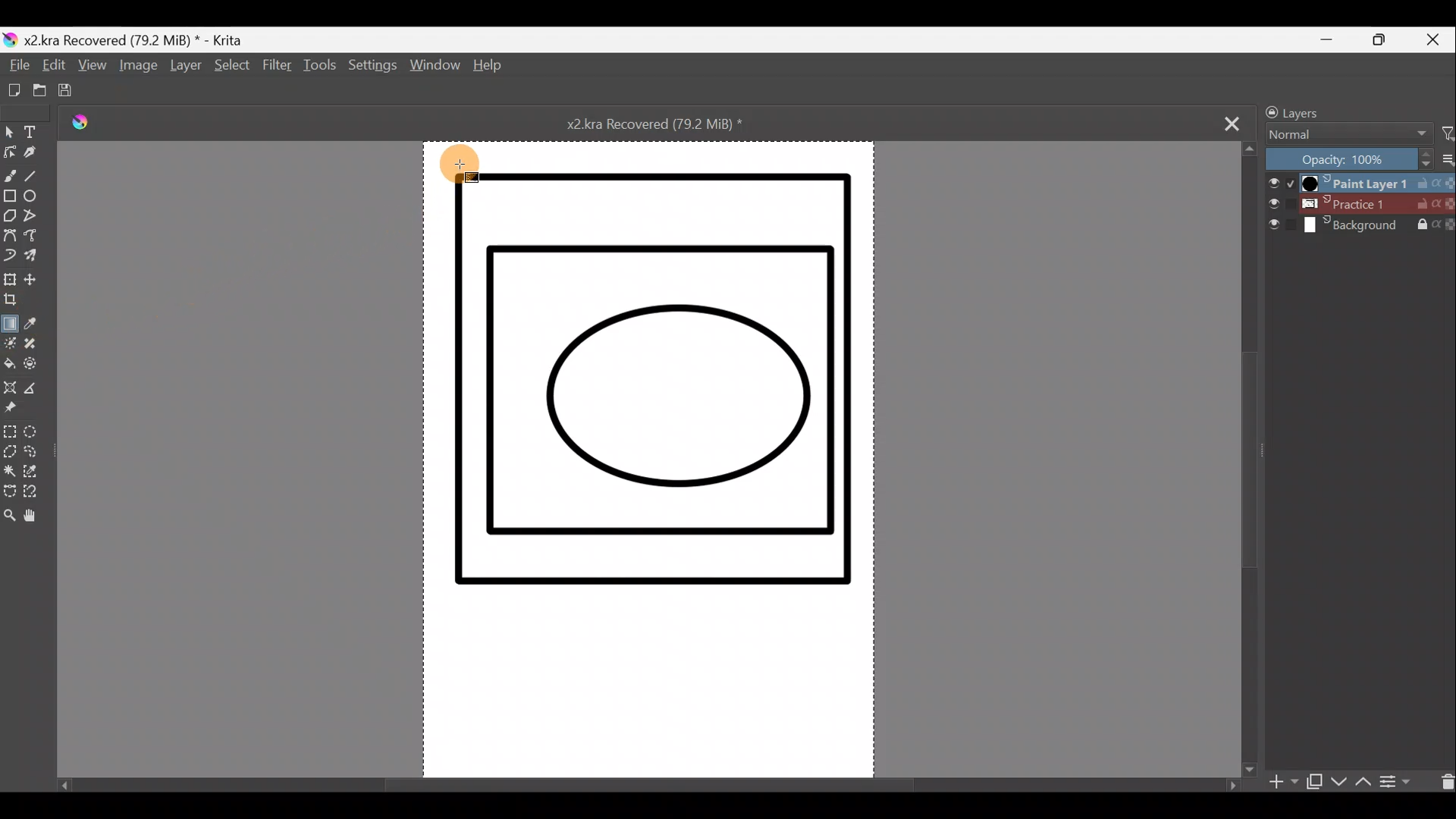  I want to click on Scroll bar, so click(644, 780).